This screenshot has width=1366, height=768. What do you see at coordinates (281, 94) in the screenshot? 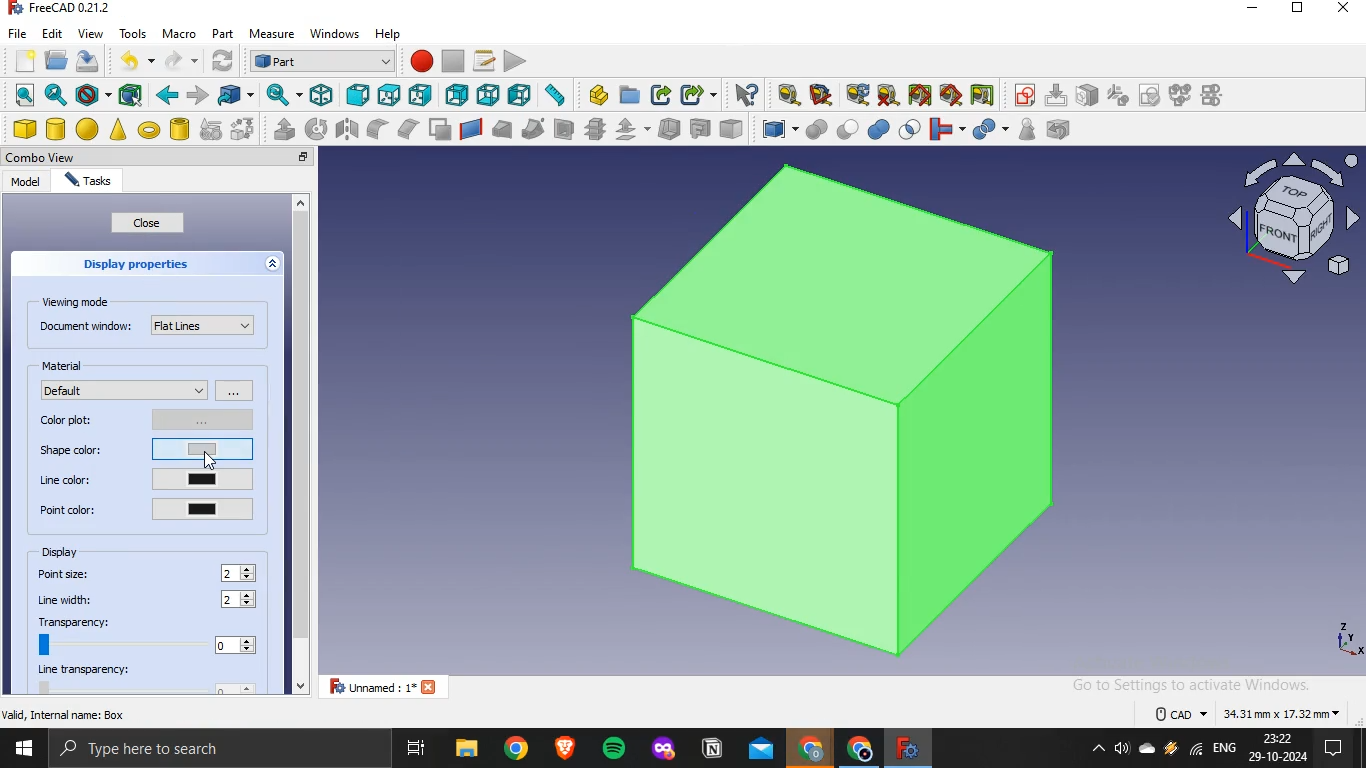
I see `sync view` at bounding box center [281, 94].